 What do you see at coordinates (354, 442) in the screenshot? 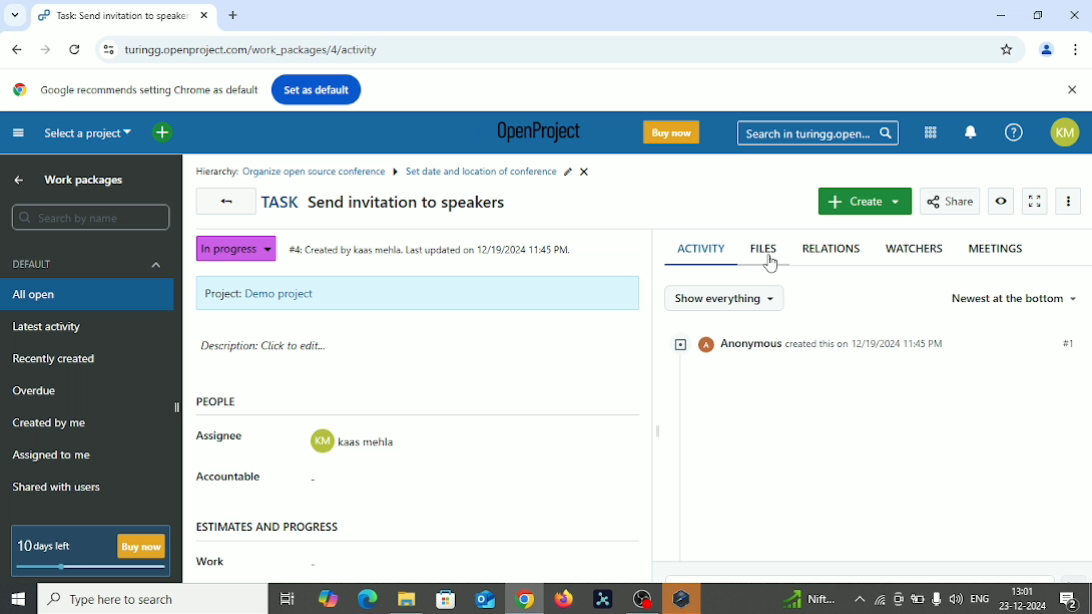
I see `assignee` at bounding box center [354, 442].